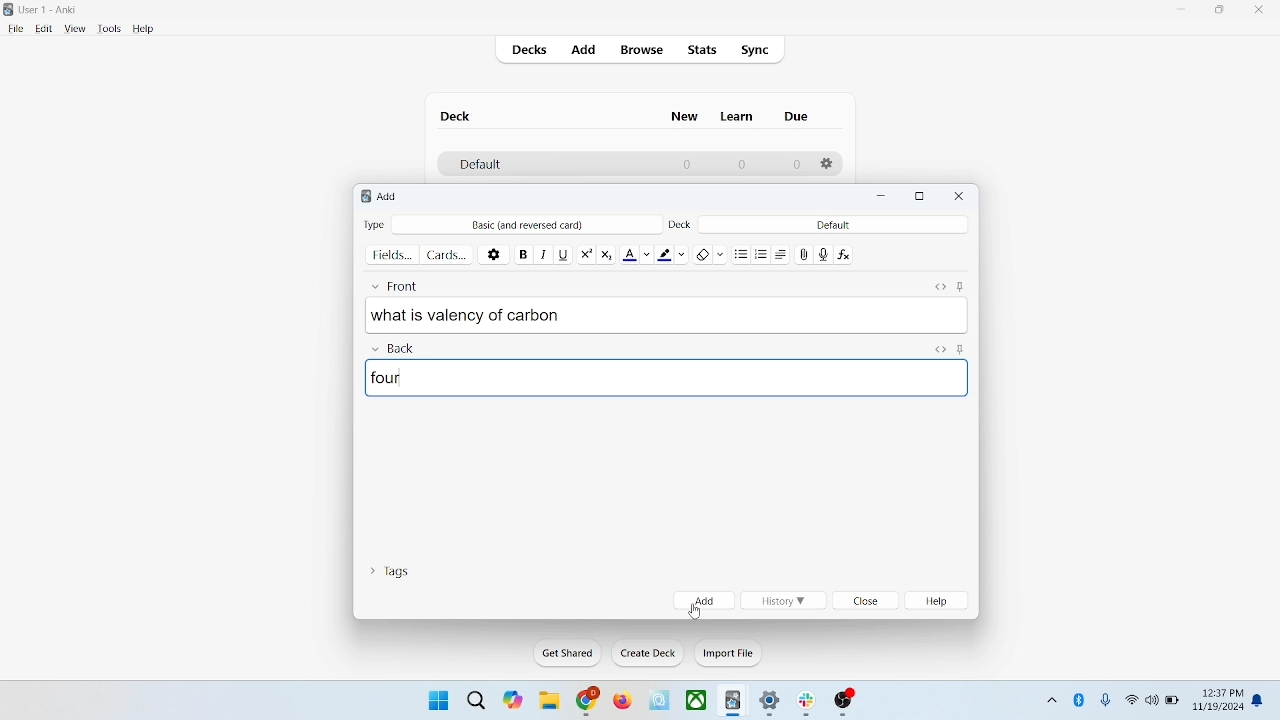 This screenshot has height=720, width=1280. What do you see at coordinates (76, 29) in the screenshot?
I see `view` at bounding box center [76, 29].